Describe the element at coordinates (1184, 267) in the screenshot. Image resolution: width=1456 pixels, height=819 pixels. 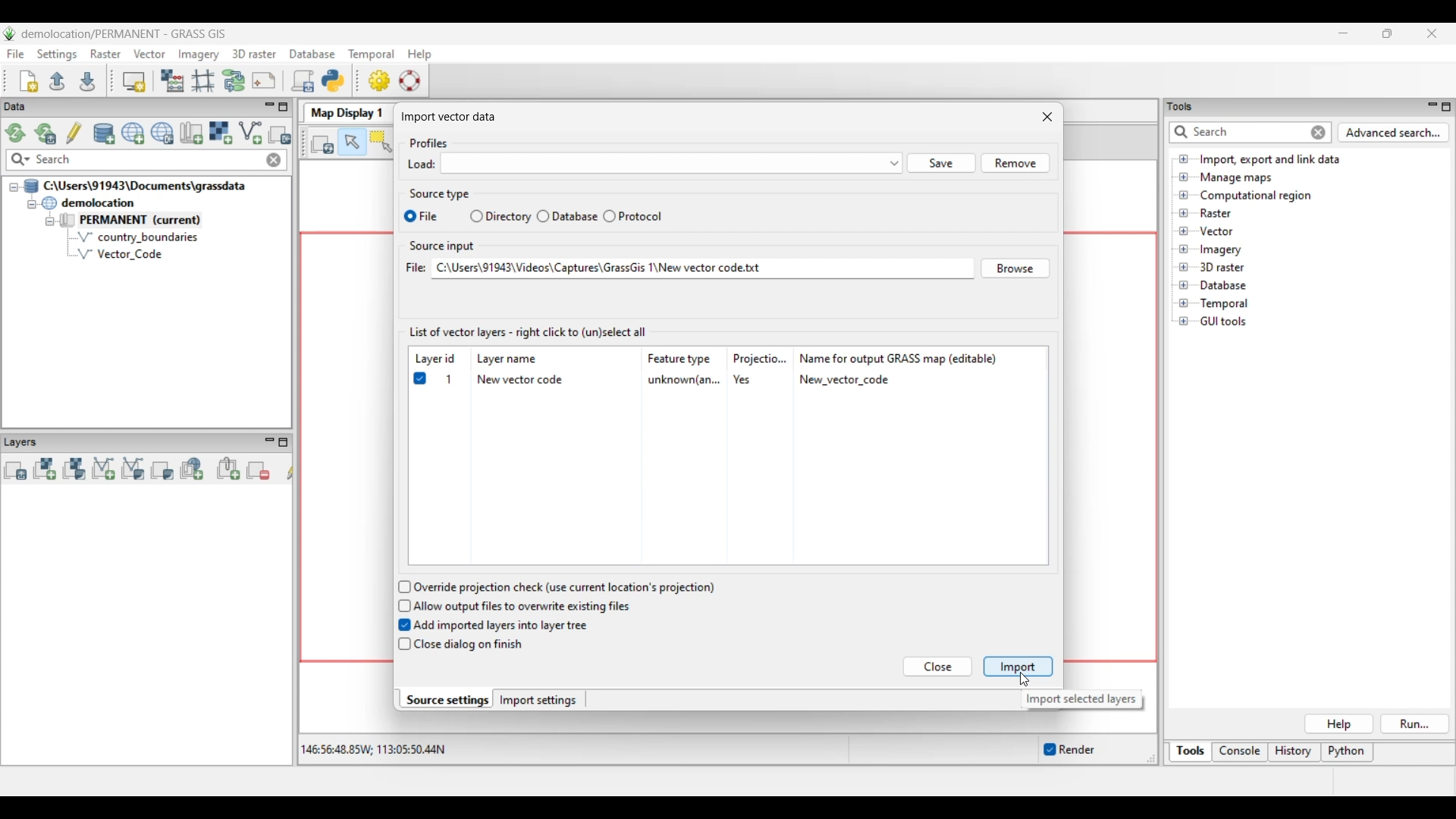
I see `Click to open files under 3D Raster` at that location.